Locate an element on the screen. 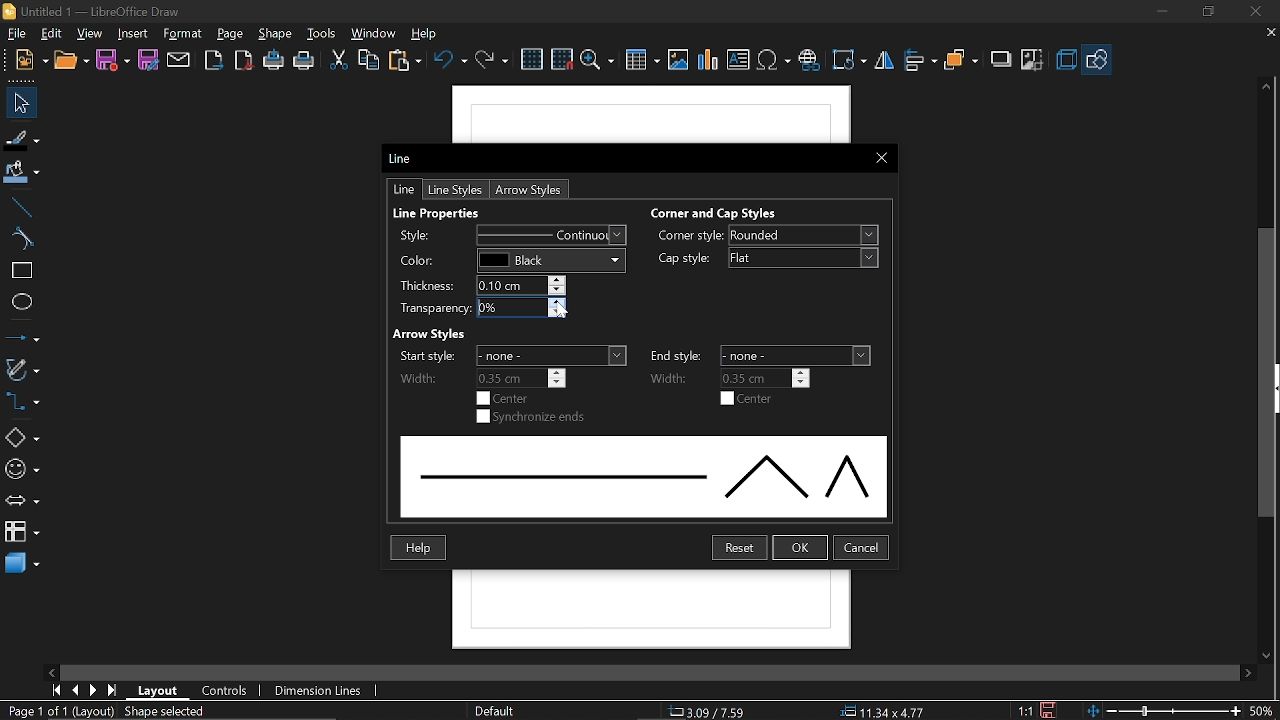 This screenshot has width=1280, height=720. Start styles is located at coordinates (510, 355).